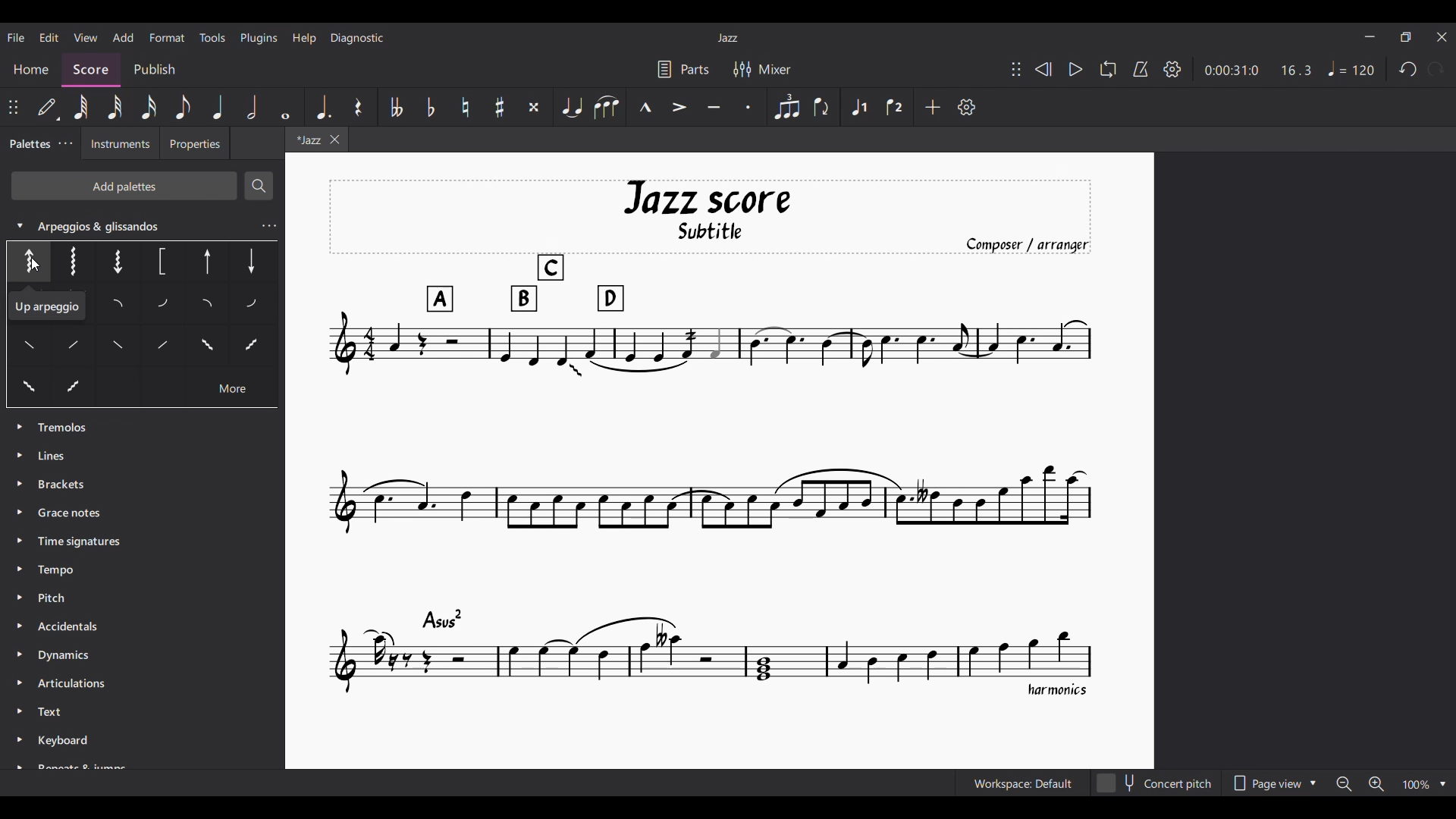 This screenshot has width=1456, height=819. I want to click on Parts settings, so click(684, 69).